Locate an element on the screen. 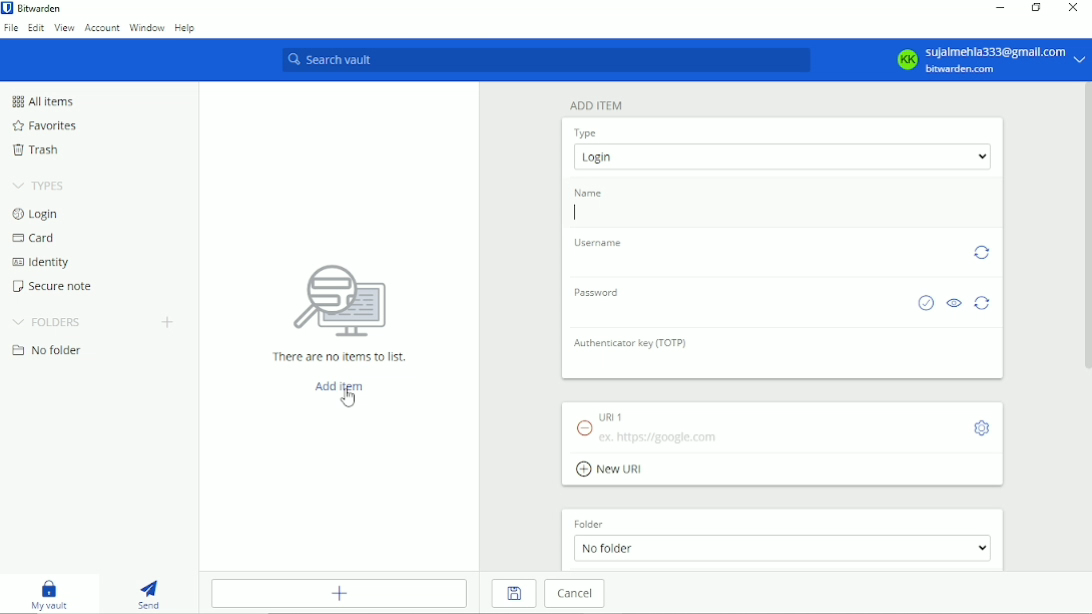 The image size is (1092, 614). KK sujalmehla333@gmail.com         bitwarden.com is located at coordinates (987, 60).